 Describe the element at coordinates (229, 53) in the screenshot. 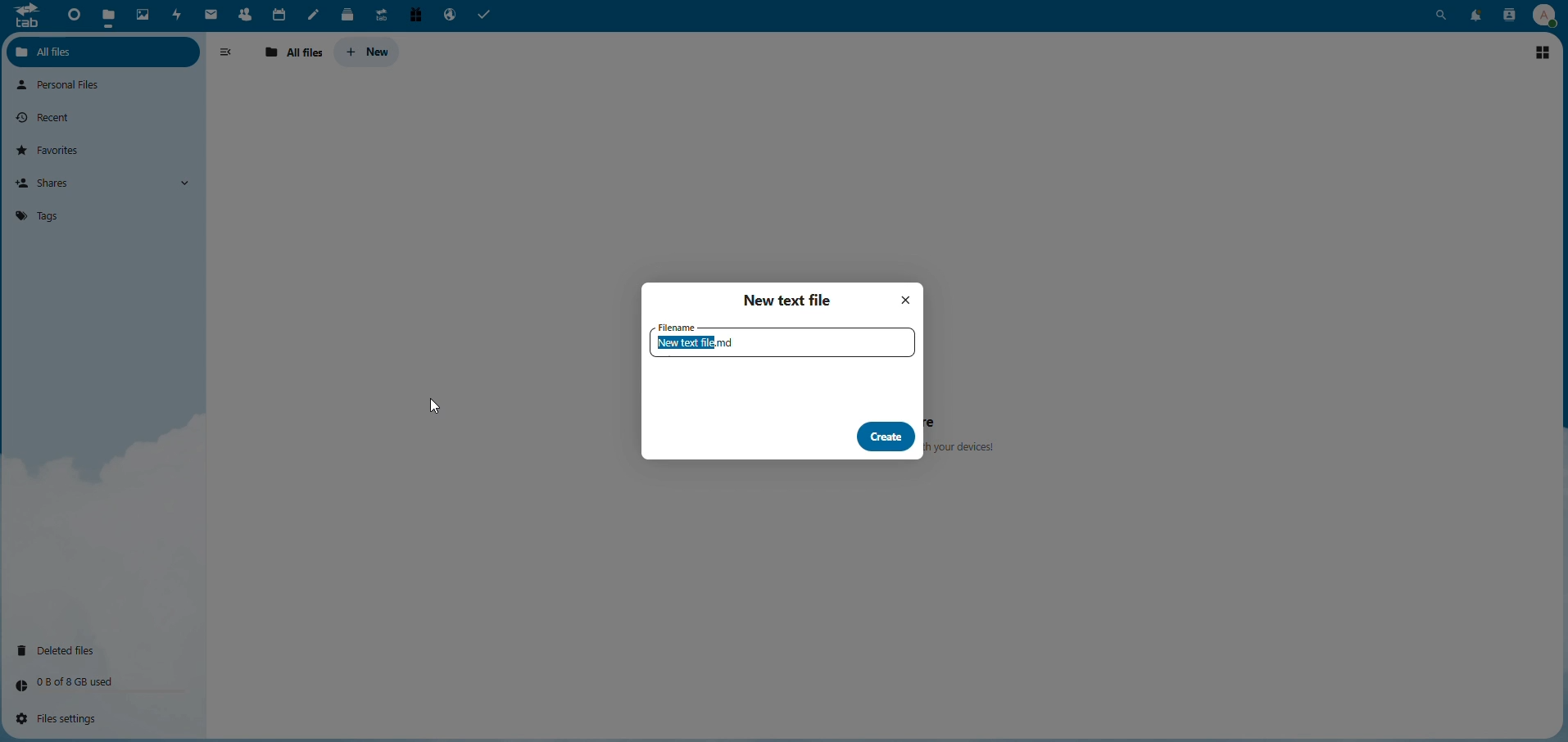

I see `Close Navigation` at that location.